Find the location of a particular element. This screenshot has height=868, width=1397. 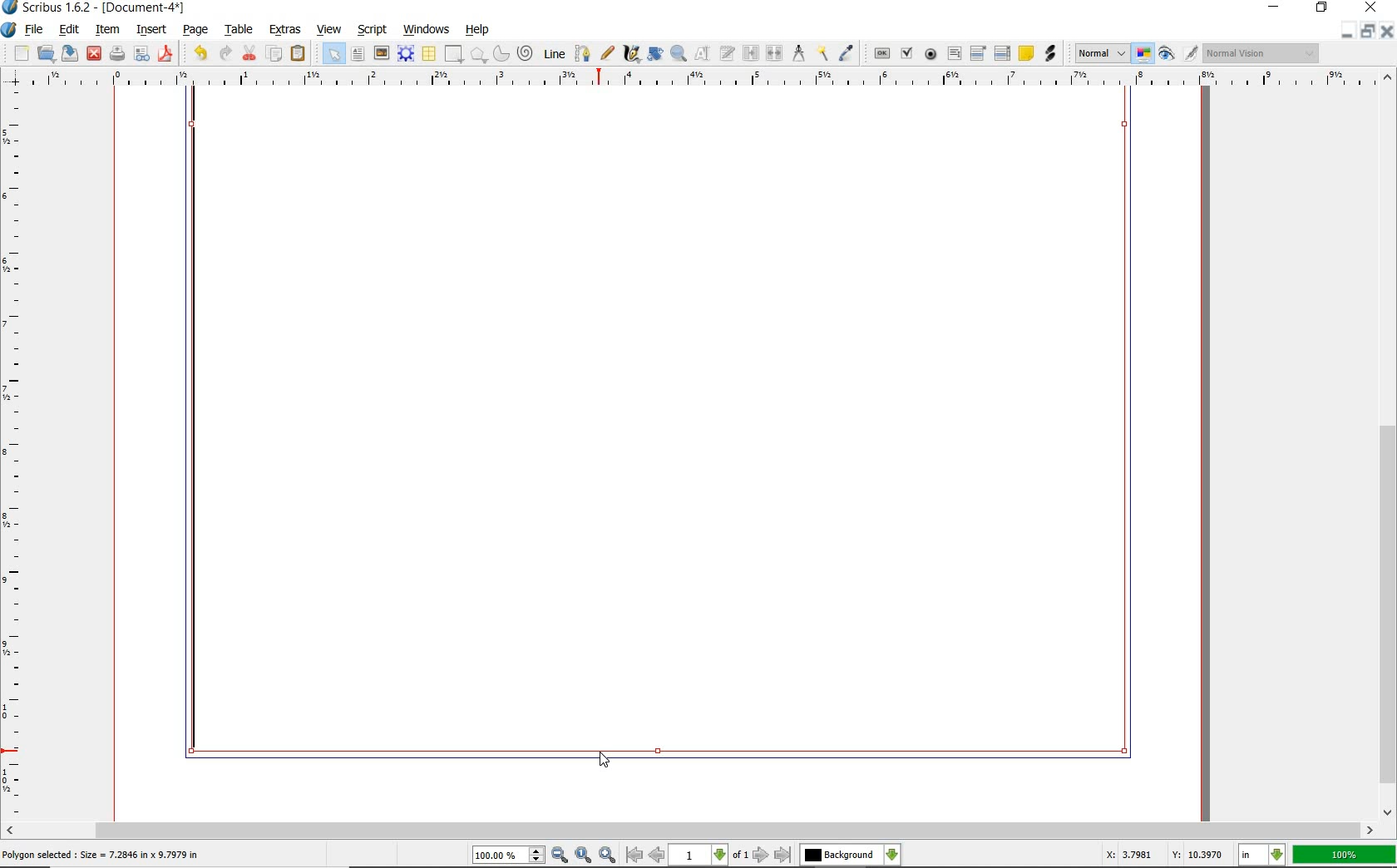

select is located at coordinates (332, 52).